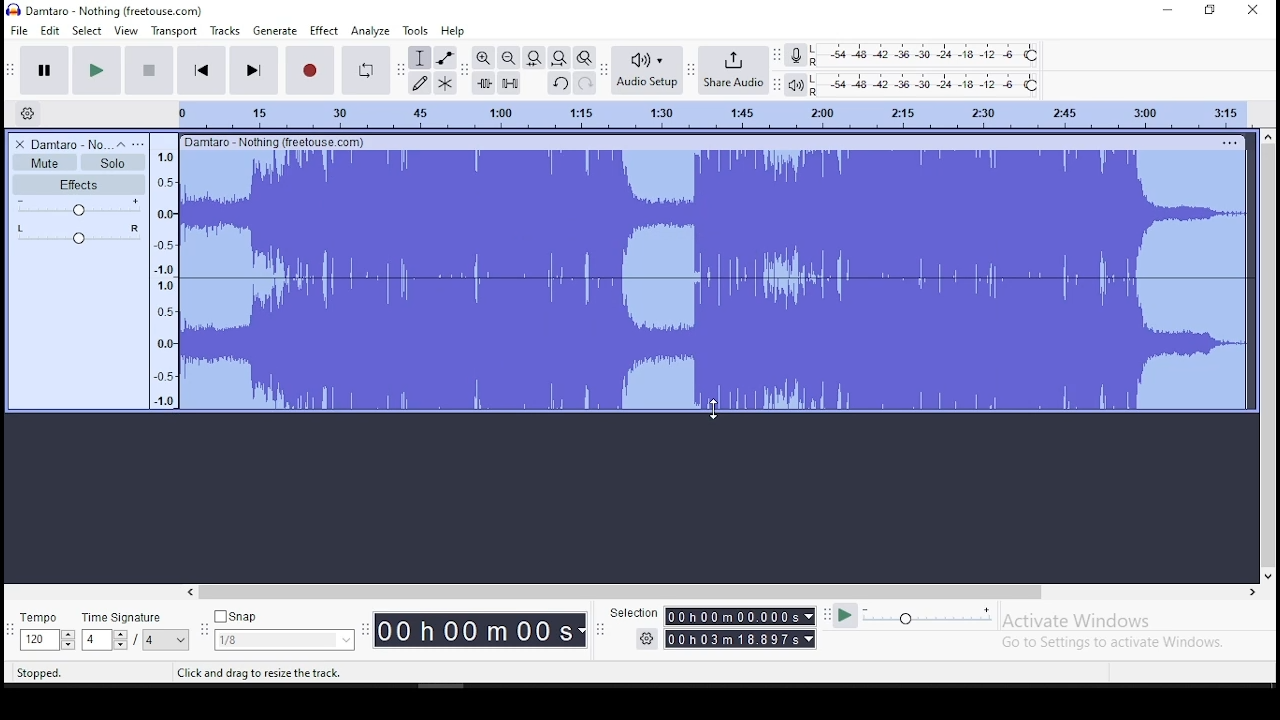 The image size is (1280, 720). What do you see at coordinates (796, 85) in the screenshot?
I see `playback meter` at bounding box center [796, 85].